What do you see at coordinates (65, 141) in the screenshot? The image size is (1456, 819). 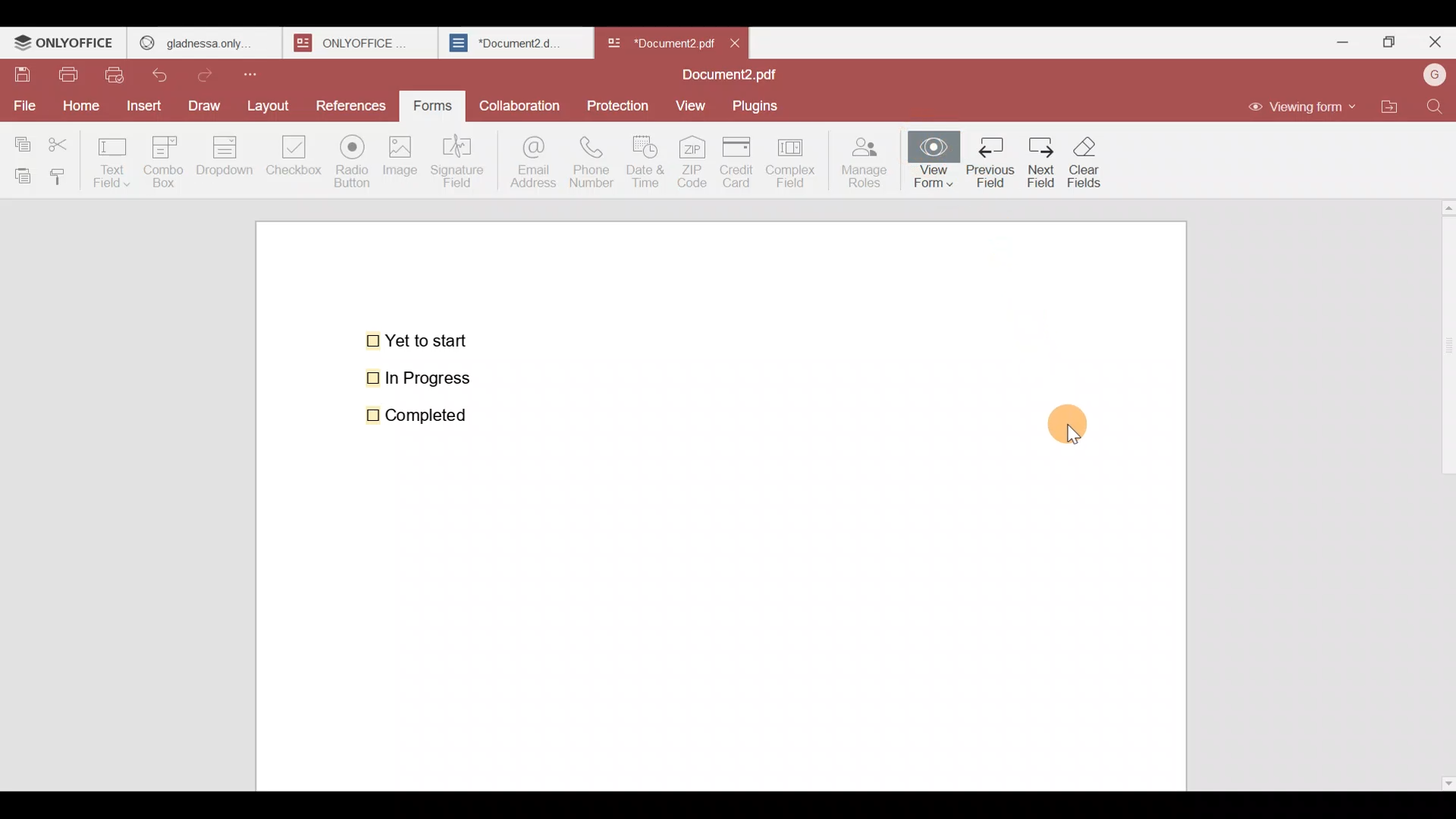 I see `Cut` at bounding box center [65, 141].